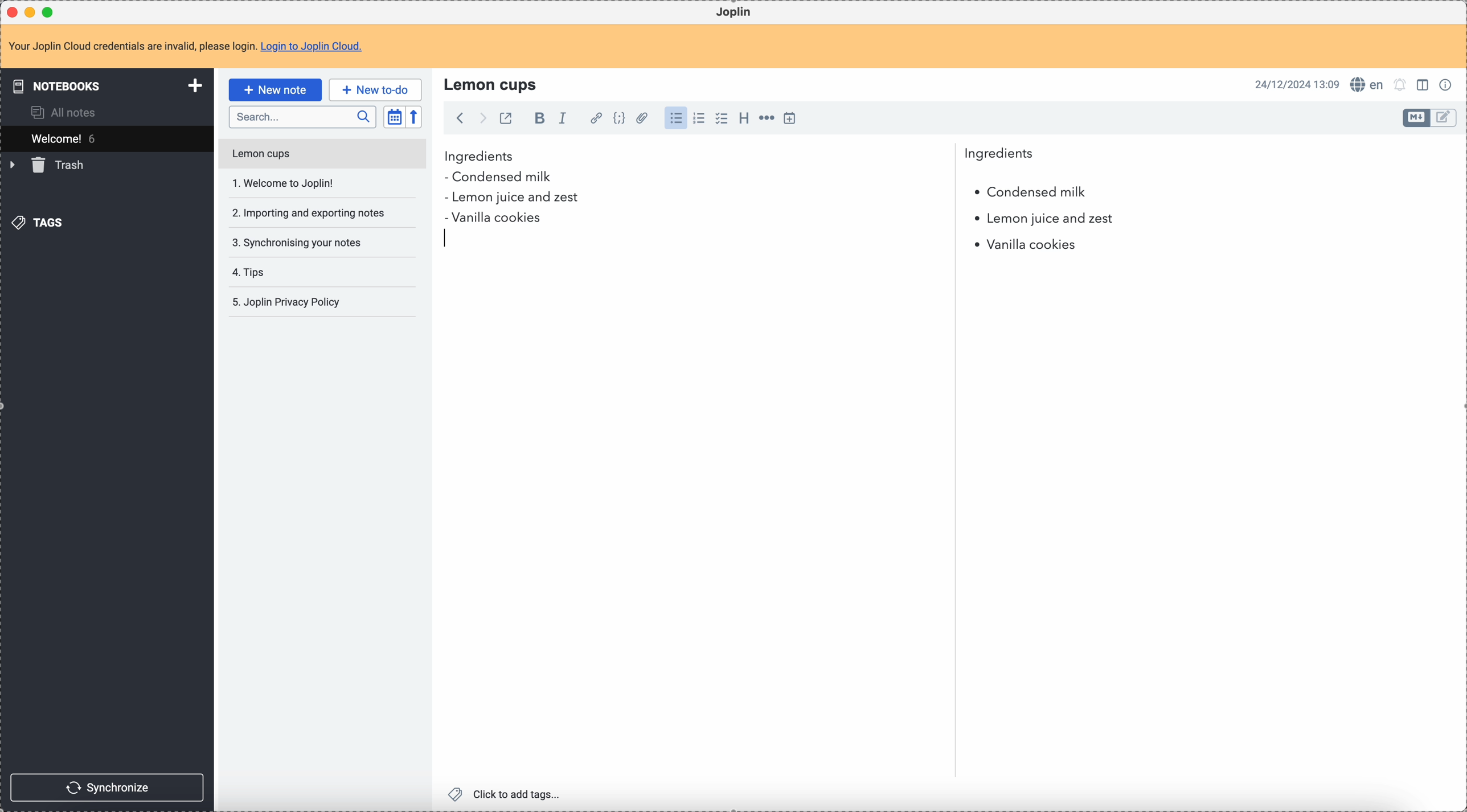 The width and height of the screenshot is (1467, 812). I want to click on numbered list, so click(700, 118).